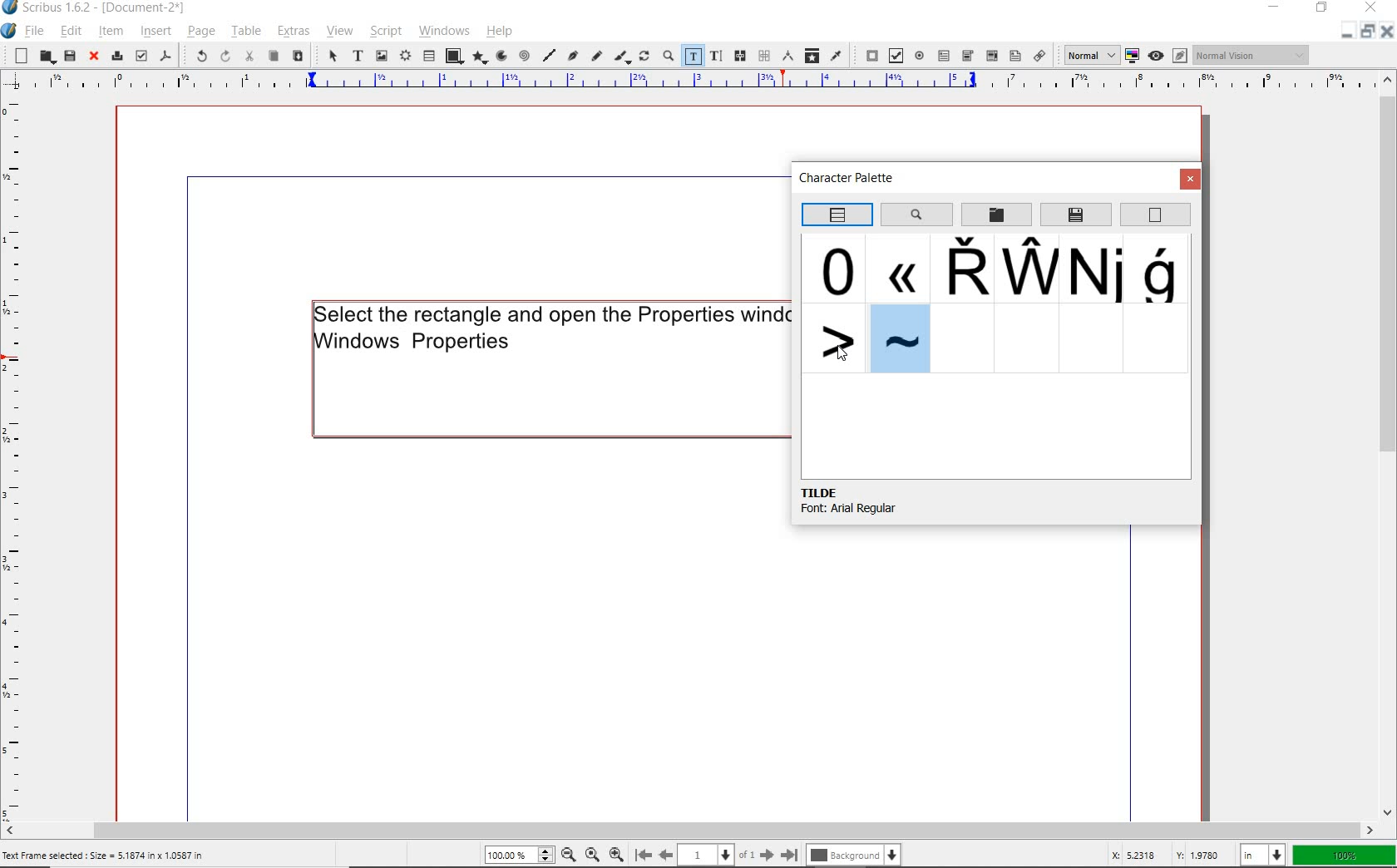  Describe the element at coordinates (699, 827) in the screenshot. I see `Scroll Bar` at that location.